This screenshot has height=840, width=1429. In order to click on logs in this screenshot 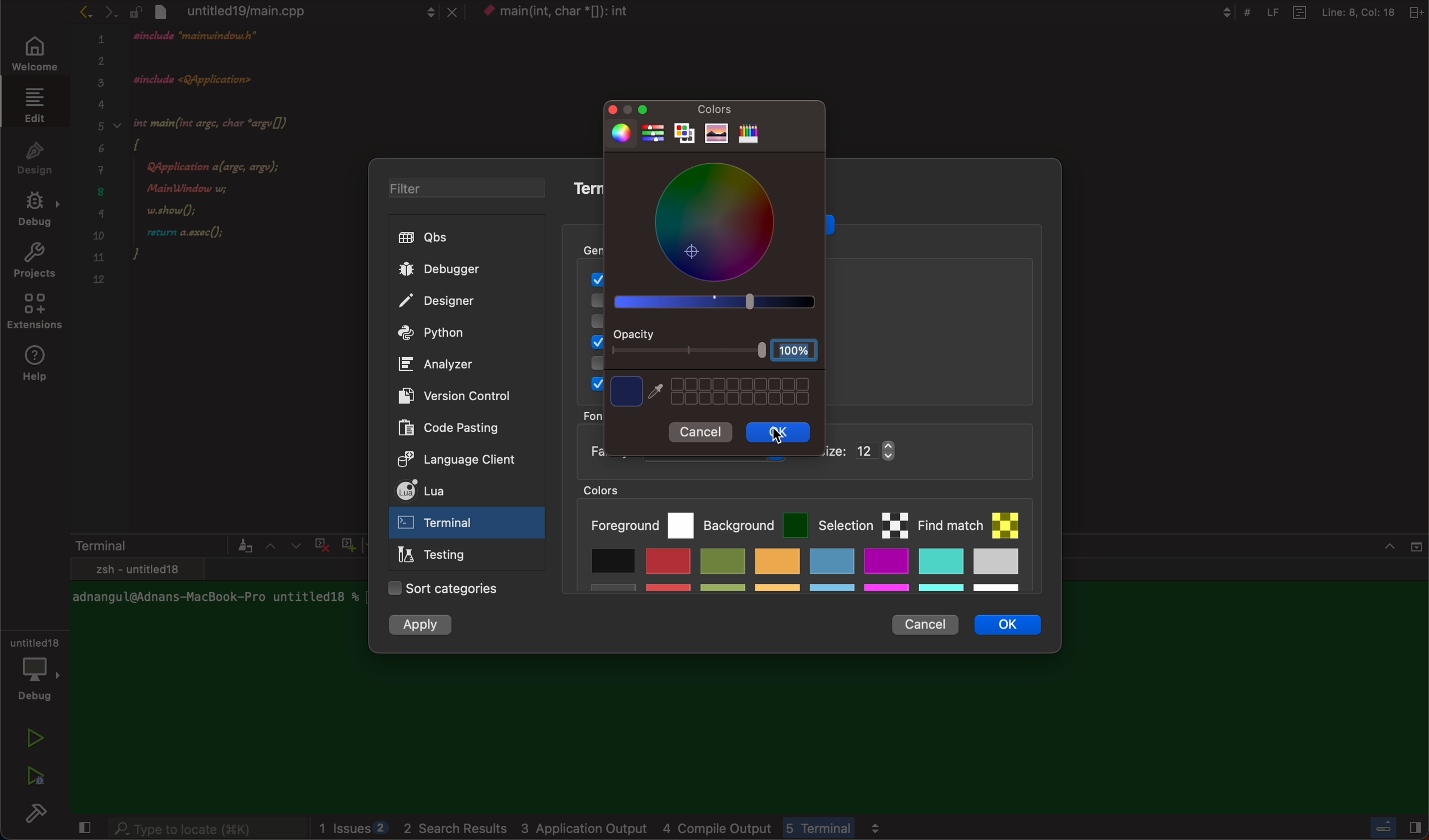, I will do `click(674, 829)`.